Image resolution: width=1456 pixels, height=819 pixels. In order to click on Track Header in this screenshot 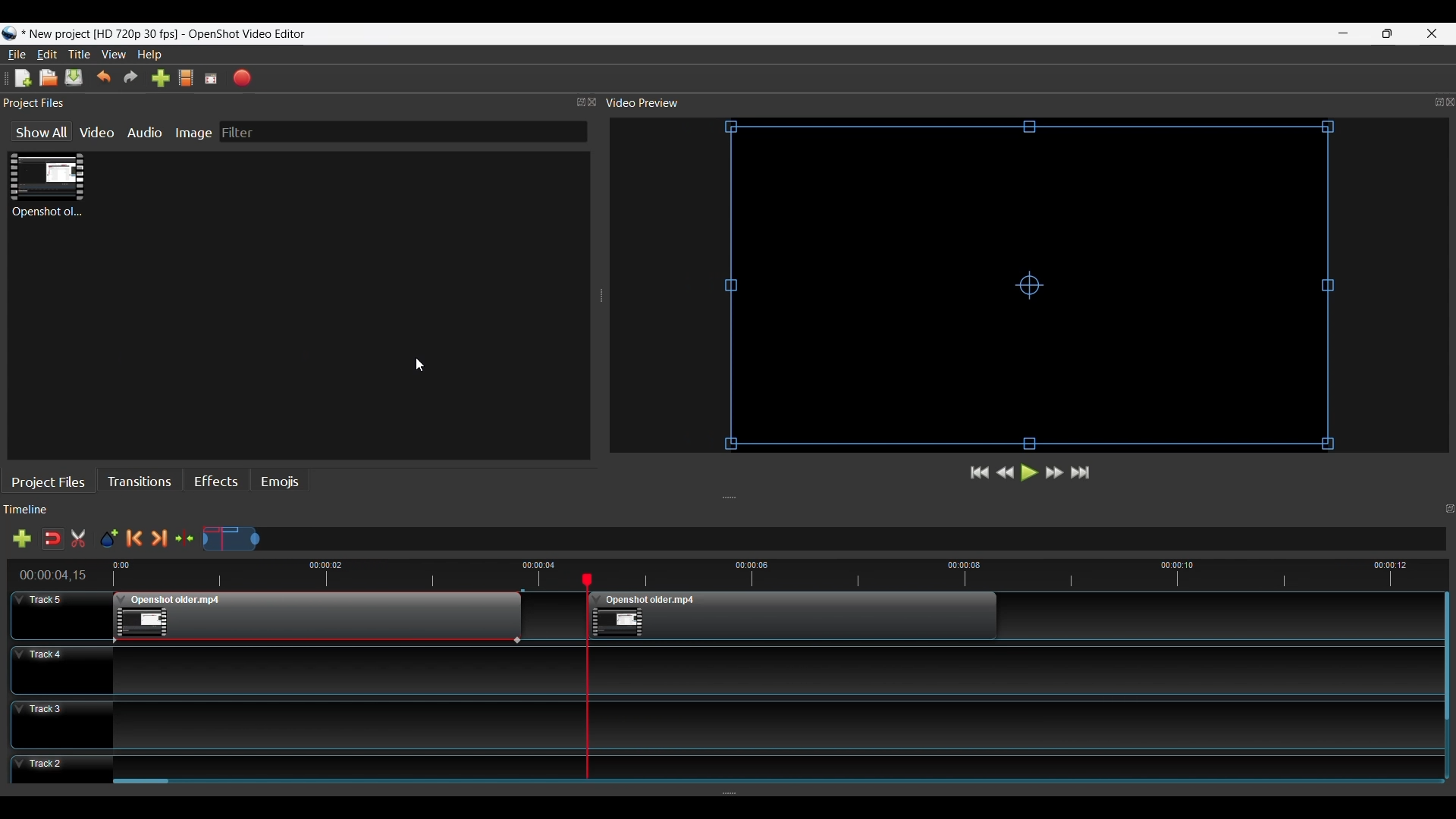, I will do `click(61, 771)`.